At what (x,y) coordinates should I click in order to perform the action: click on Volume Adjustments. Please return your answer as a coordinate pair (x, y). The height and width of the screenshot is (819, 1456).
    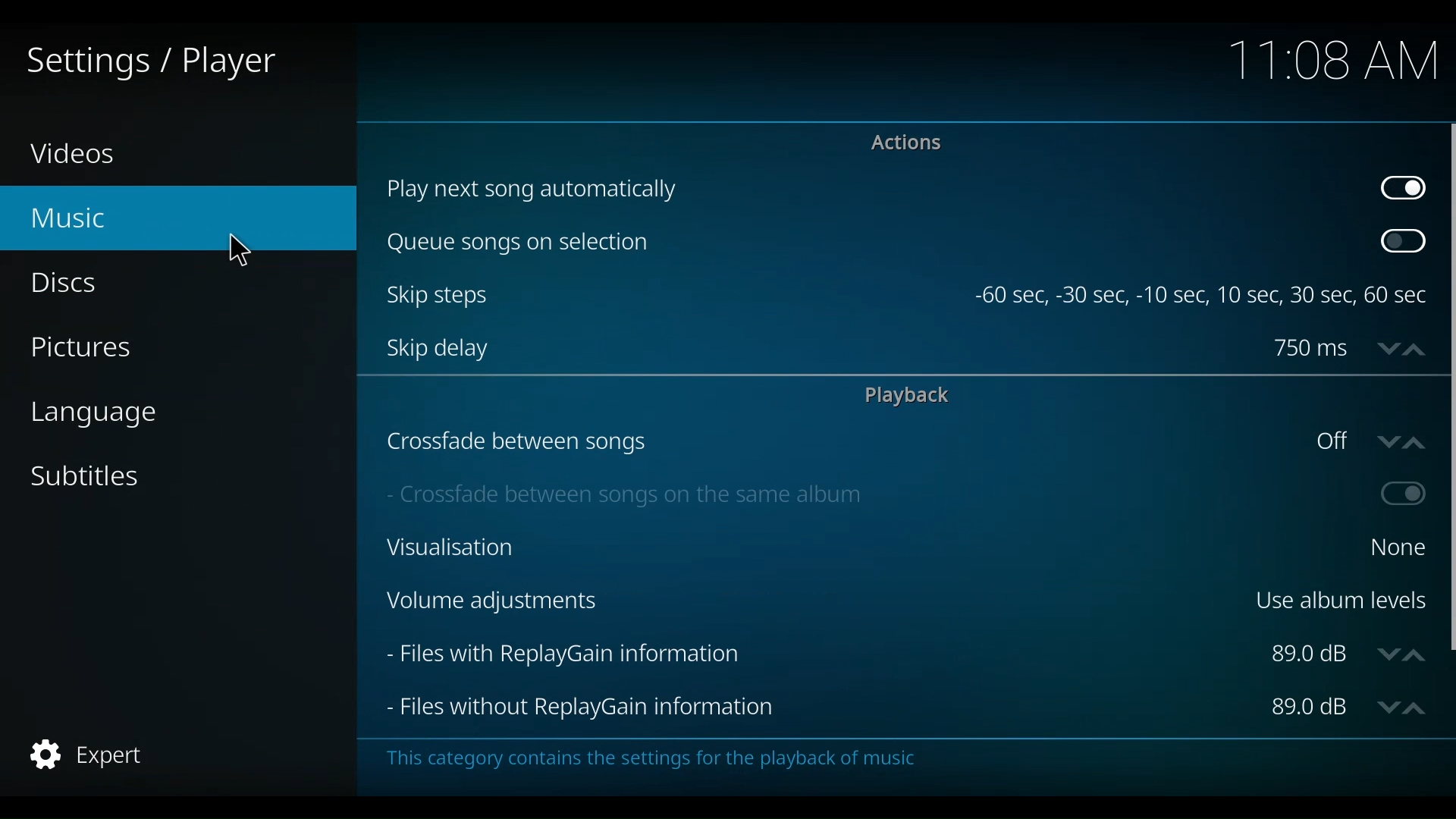
    Looking at the image, I should click on (805, 602).